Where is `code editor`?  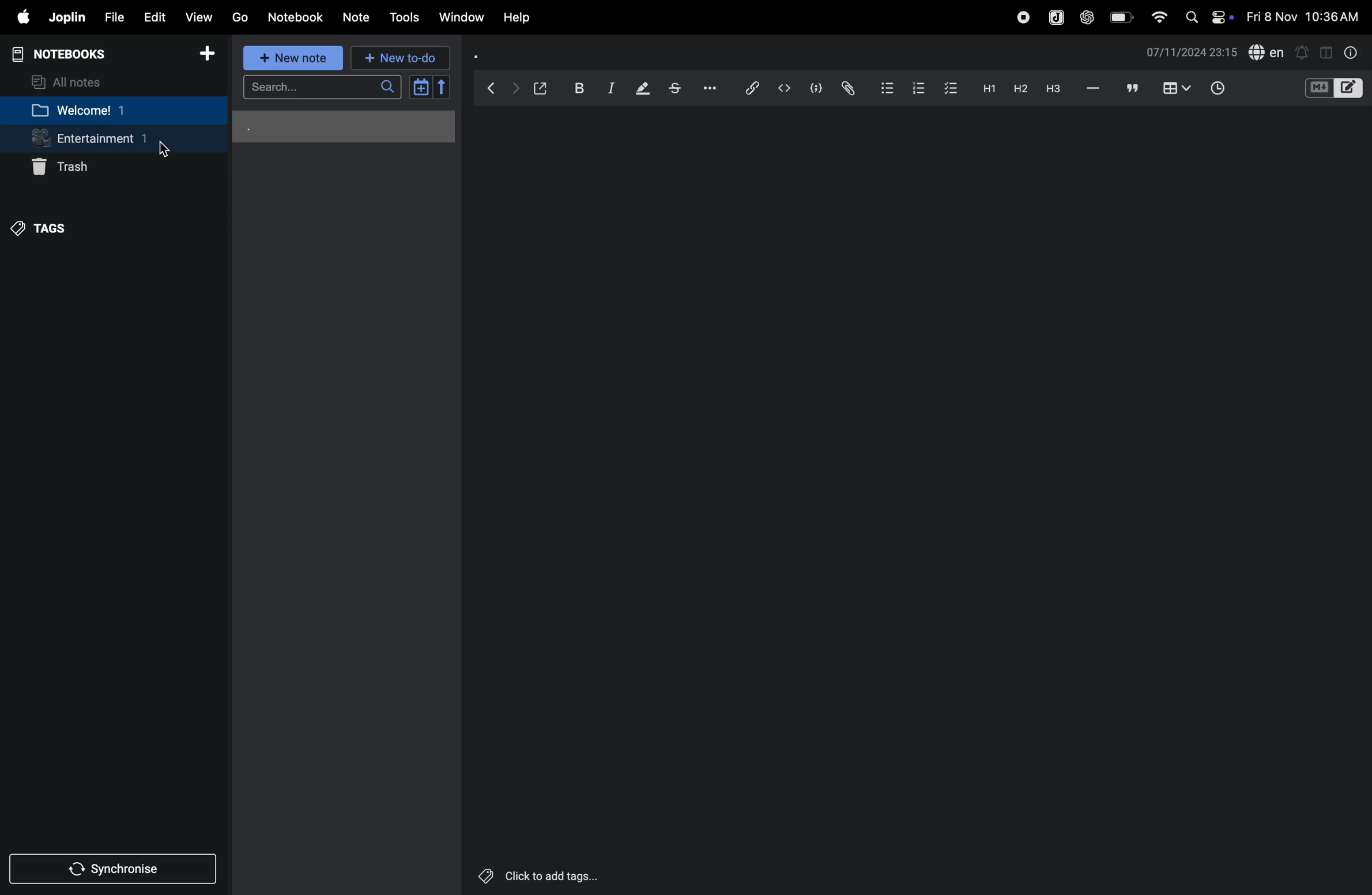 code editor is located at coordinates (784, 88).